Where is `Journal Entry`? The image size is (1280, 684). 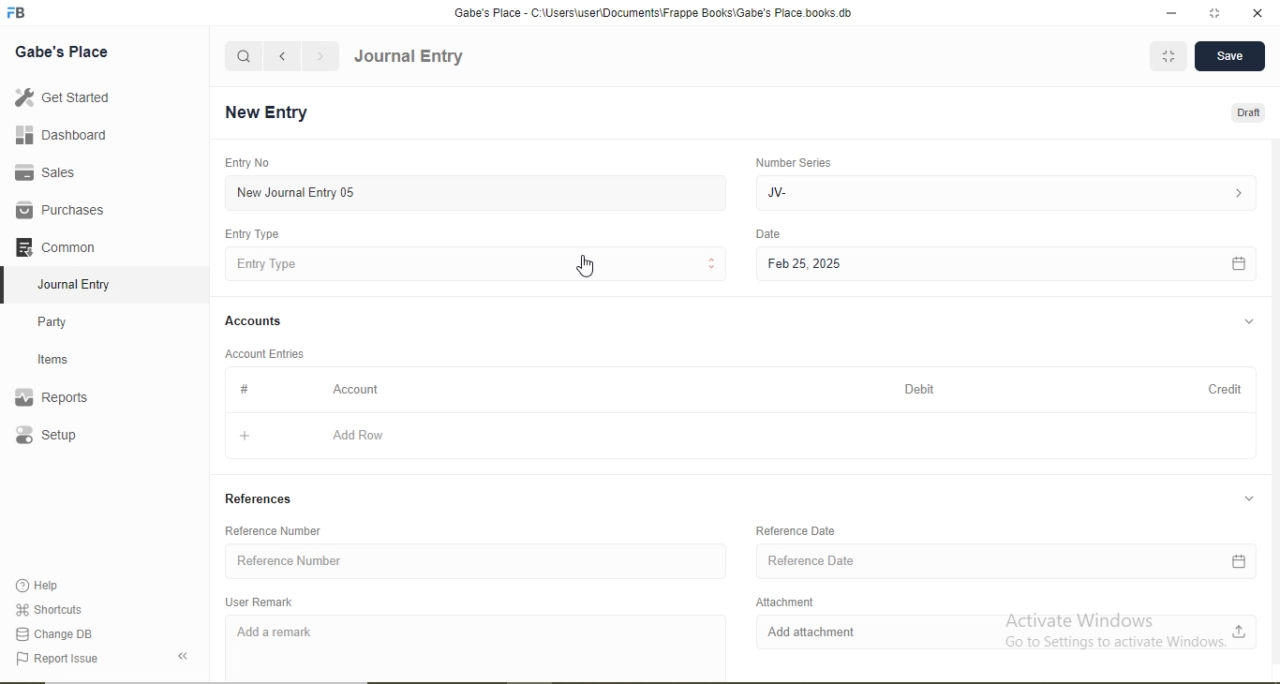
Journal Entry is located at coordinates (409, 57).